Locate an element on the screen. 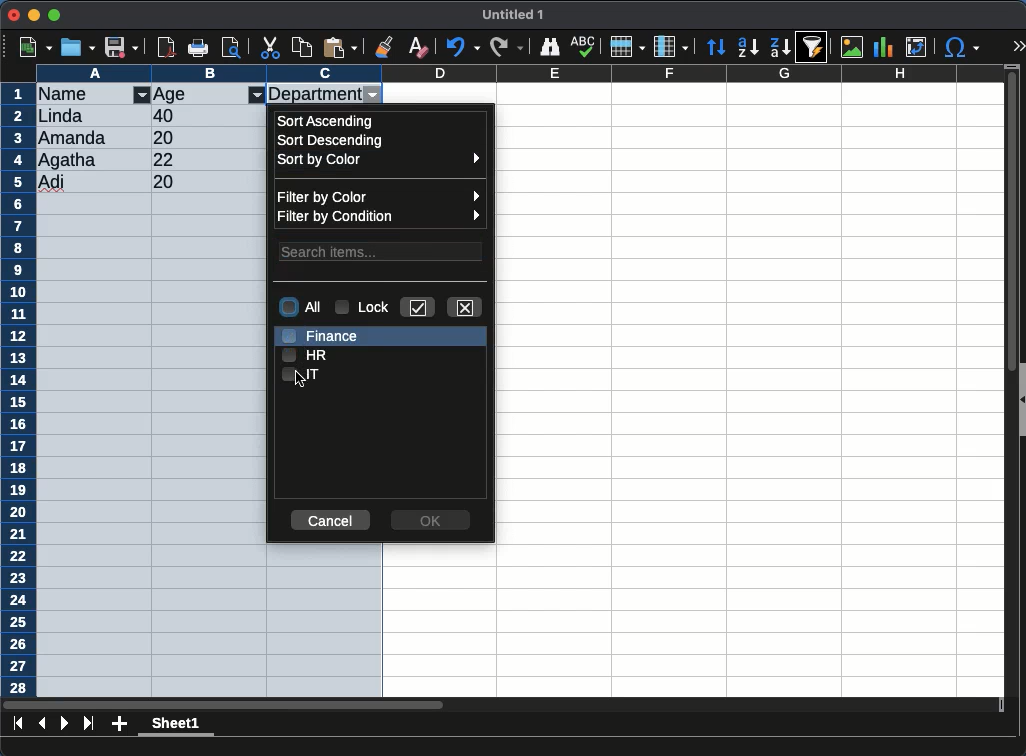 The image size is (1026, 756). hr is located at coordinates (305, 354).